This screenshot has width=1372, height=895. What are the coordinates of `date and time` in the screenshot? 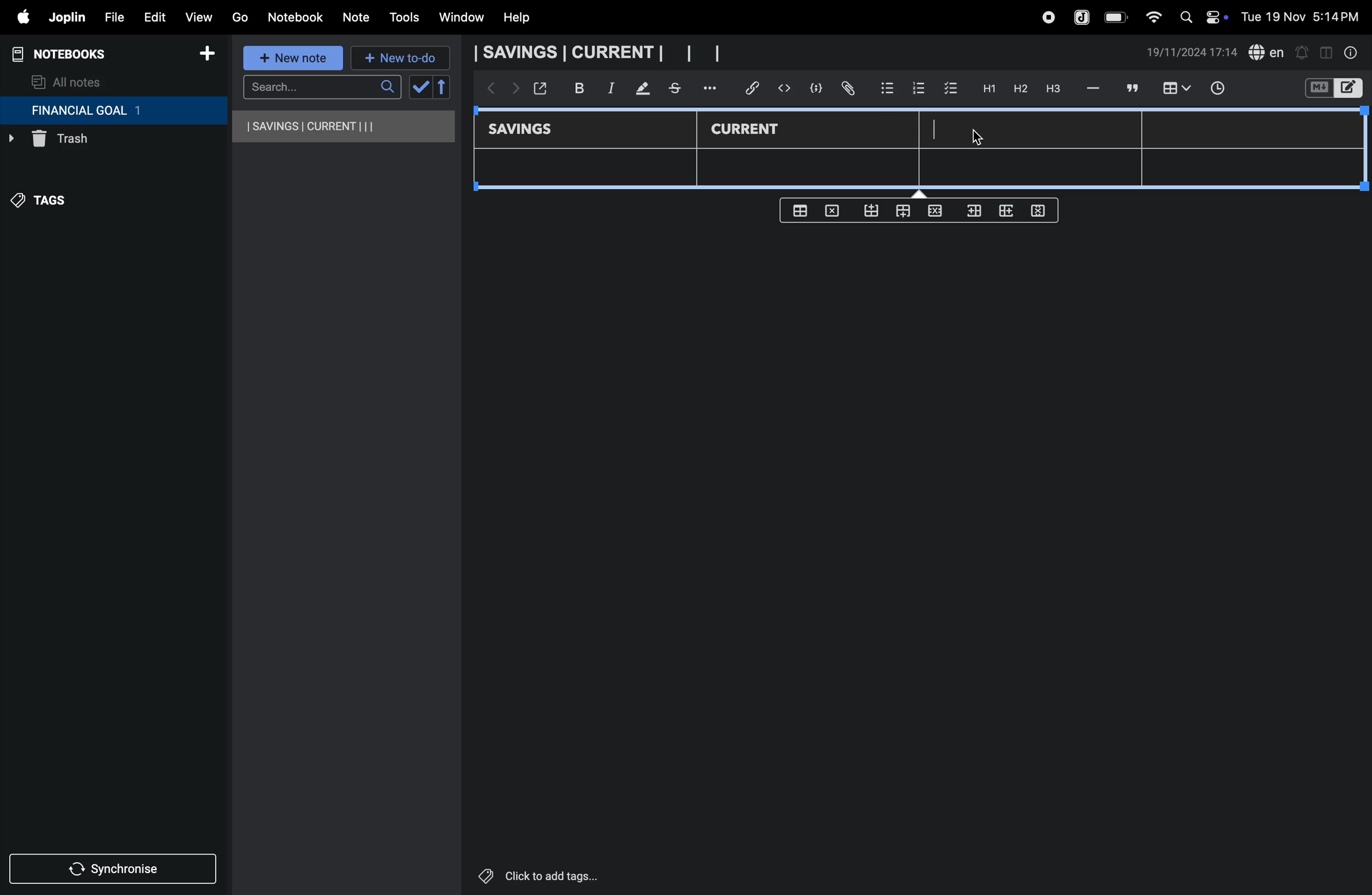 It's located at (1304, 16).